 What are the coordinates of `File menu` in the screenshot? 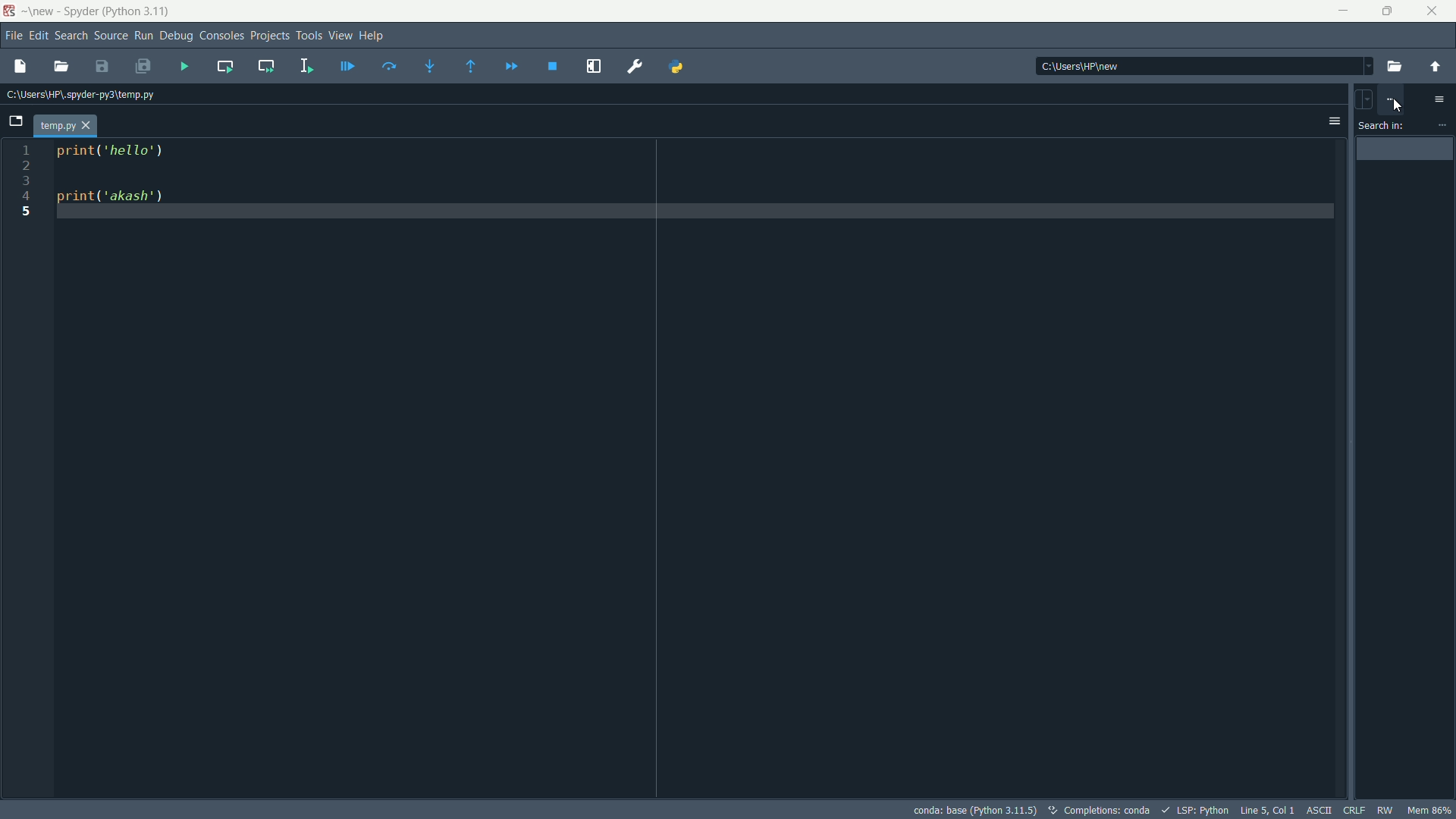 It's located at (11, 33).